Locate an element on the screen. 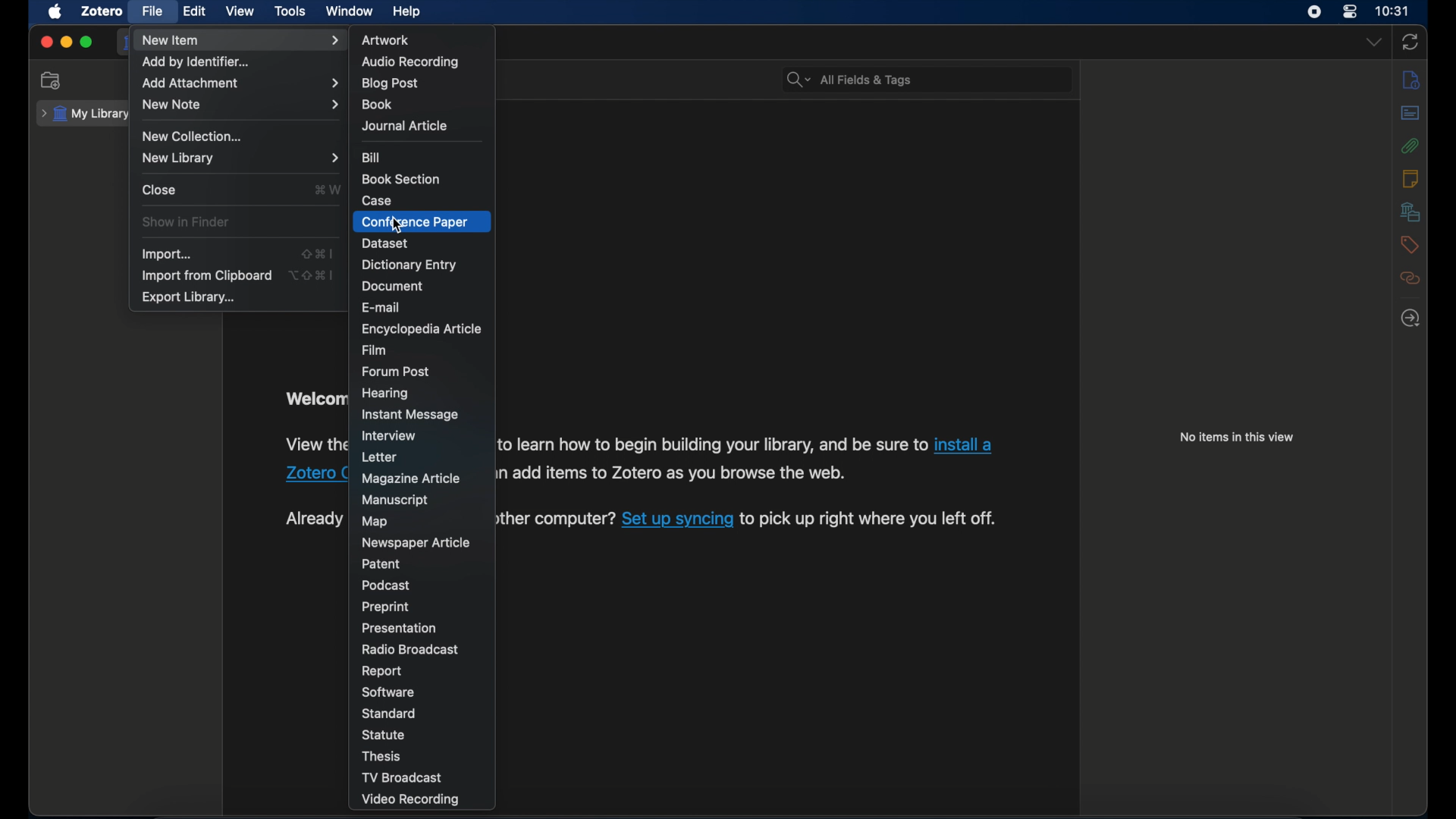  info is located at coordinates (1411, 79).